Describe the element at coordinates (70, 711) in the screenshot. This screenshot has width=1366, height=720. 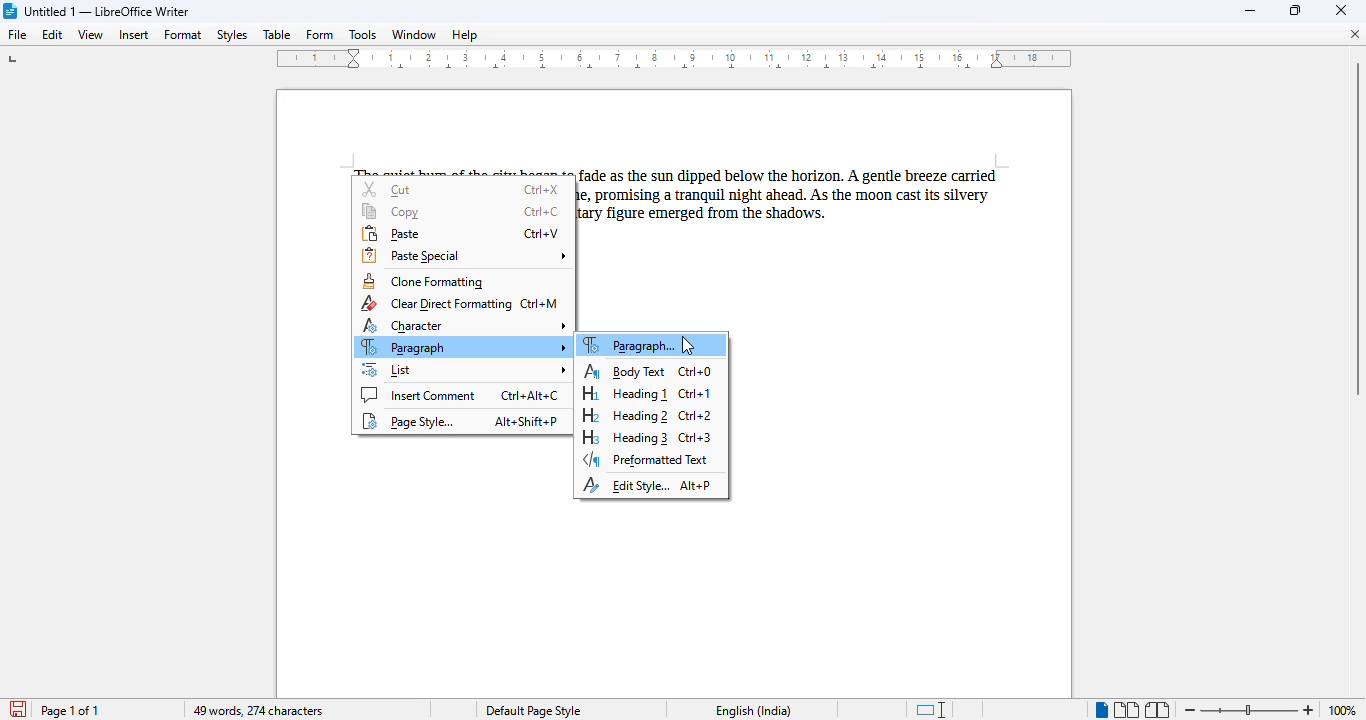
I see `page 1 of 1` at that location.